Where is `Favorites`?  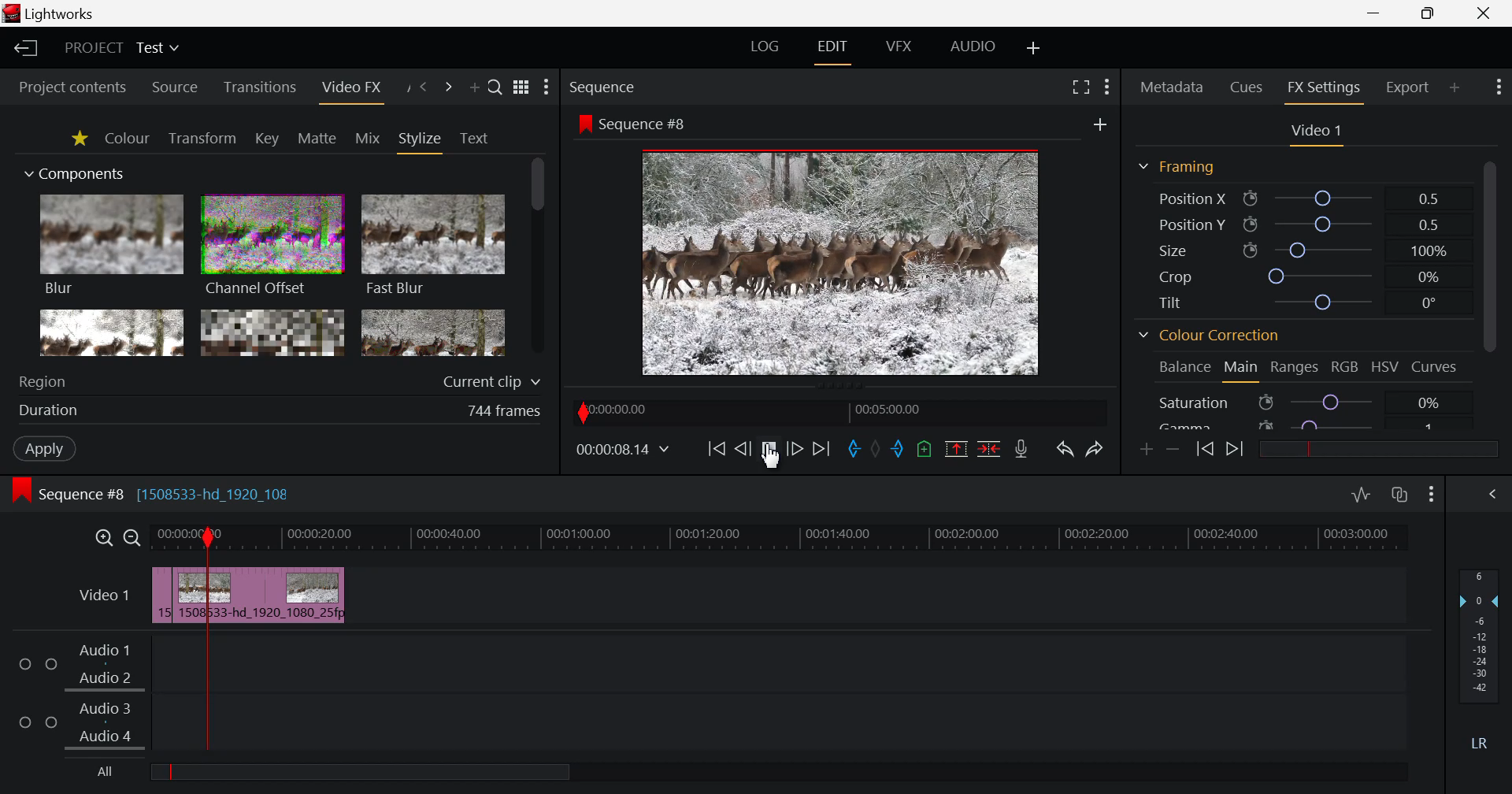
Favorites is located at coordinates (77, 139).